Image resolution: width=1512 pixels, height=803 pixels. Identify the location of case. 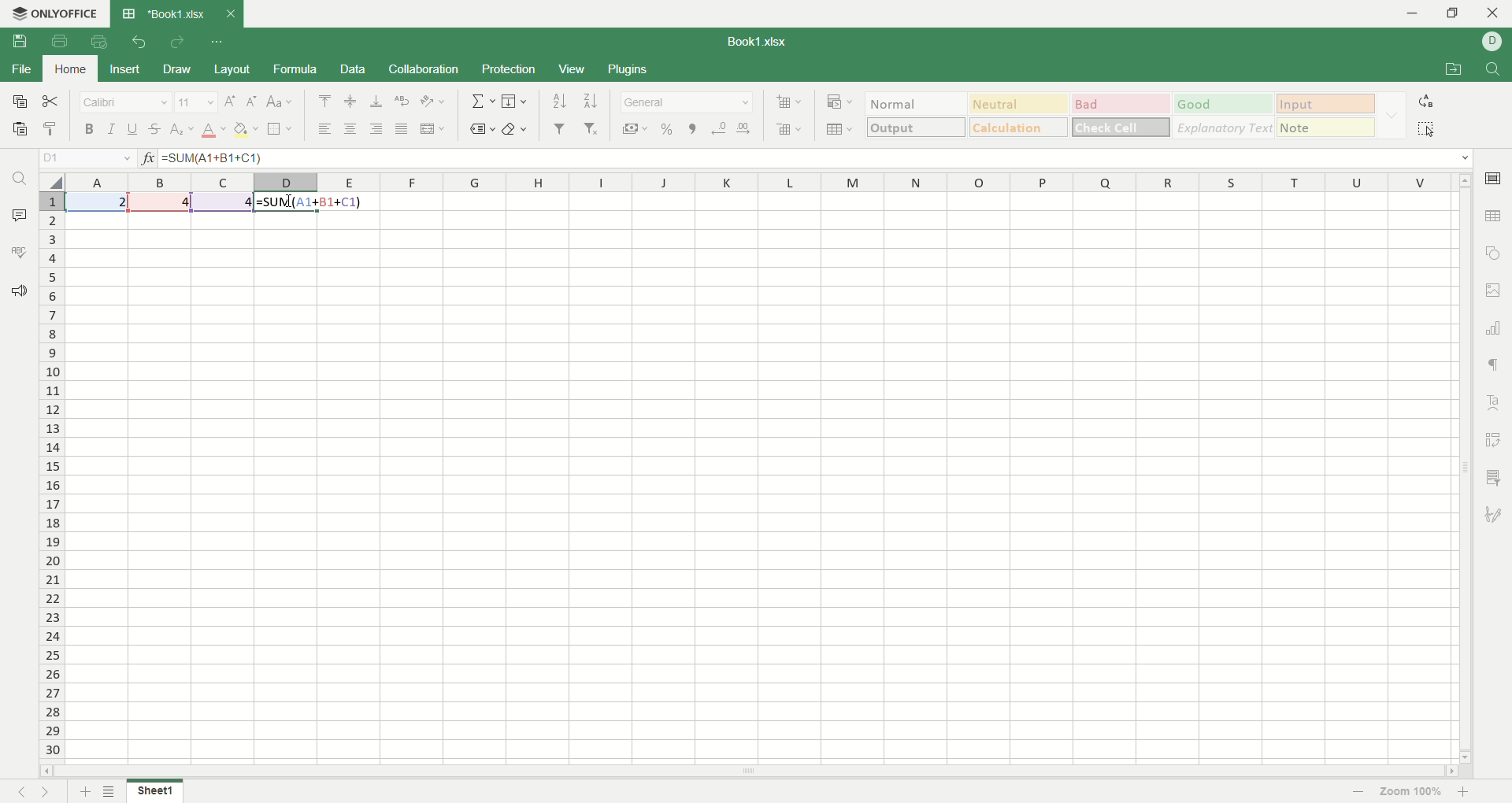
(280, 101).